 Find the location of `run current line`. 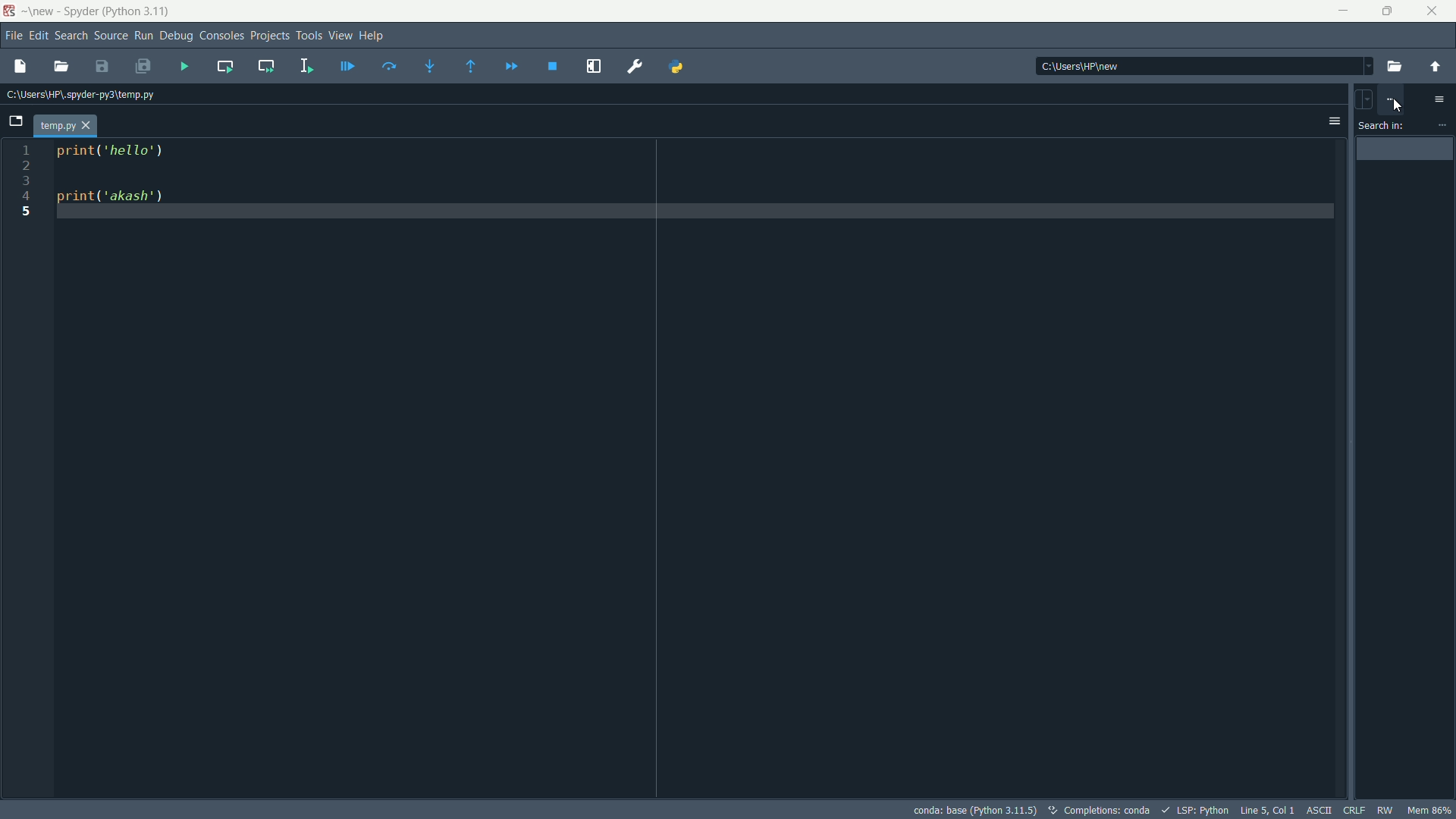

run current line is located at coordinates (390, 66).